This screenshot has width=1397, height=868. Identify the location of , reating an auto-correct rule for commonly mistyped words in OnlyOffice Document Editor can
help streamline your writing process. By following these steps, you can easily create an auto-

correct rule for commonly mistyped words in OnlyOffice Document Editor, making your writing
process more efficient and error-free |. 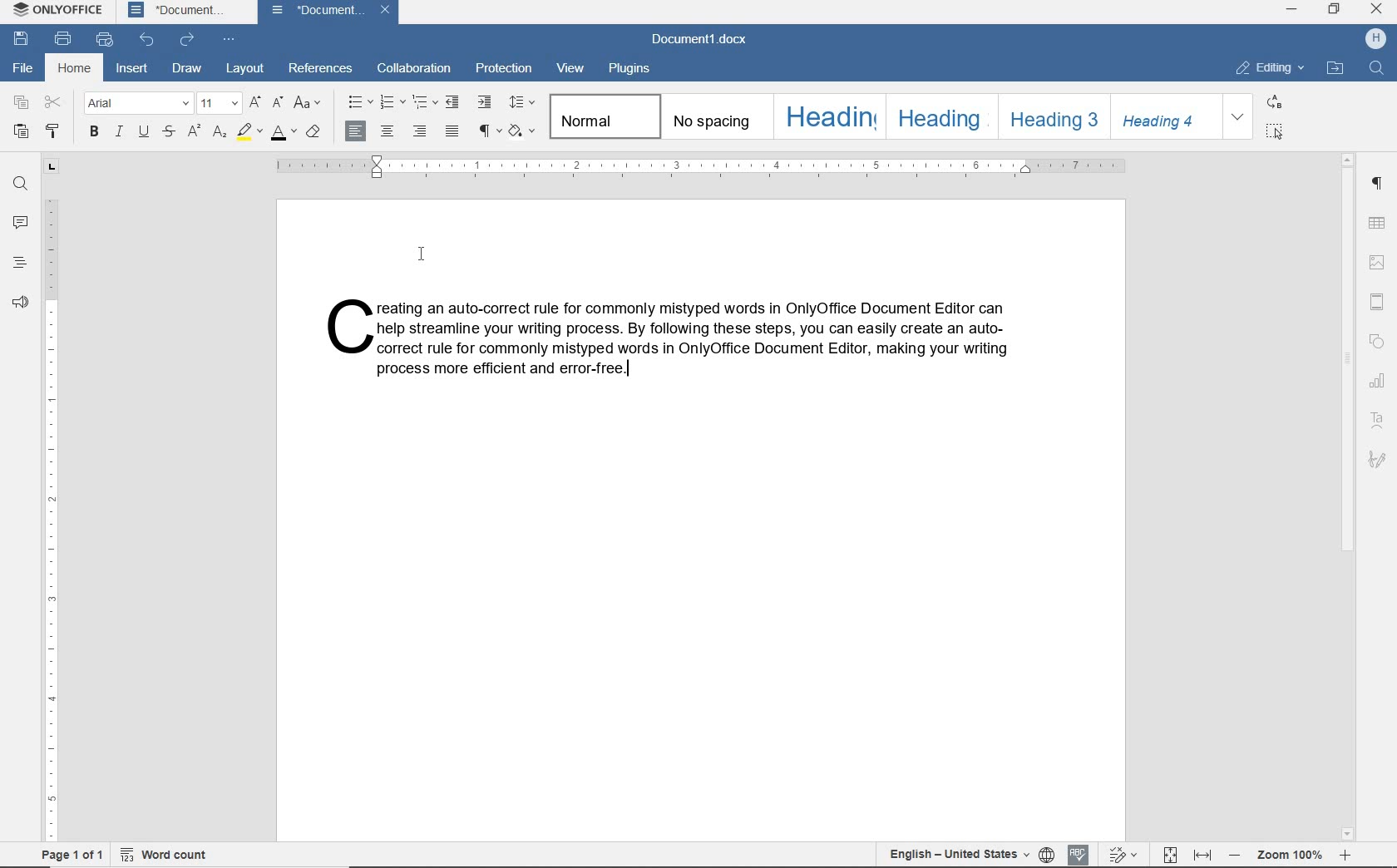
(671, 338).